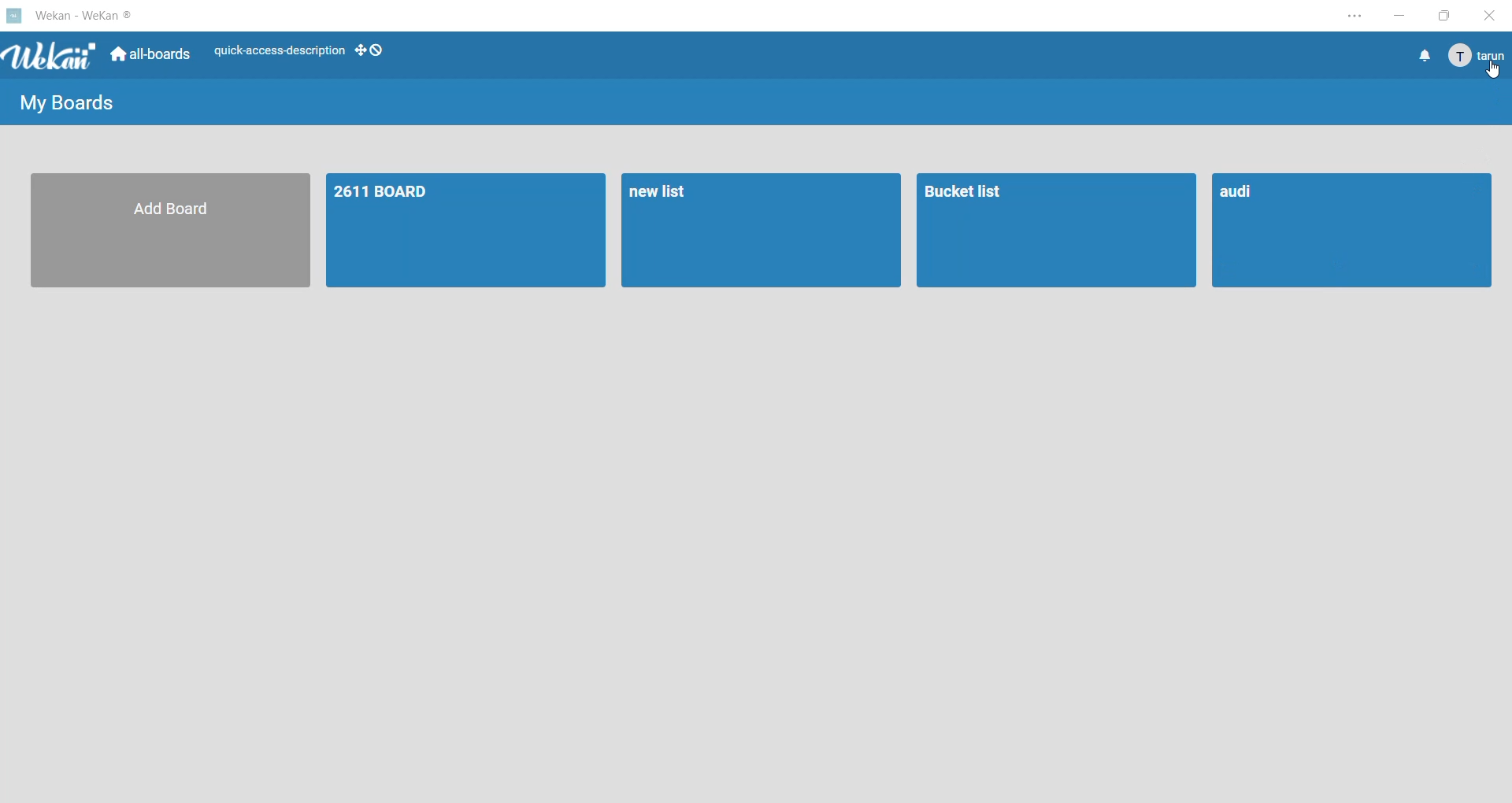 The image size is (1512, 803). Describe the element at coordinates (174, 229) in the screenshot. I see `add board` at that location.